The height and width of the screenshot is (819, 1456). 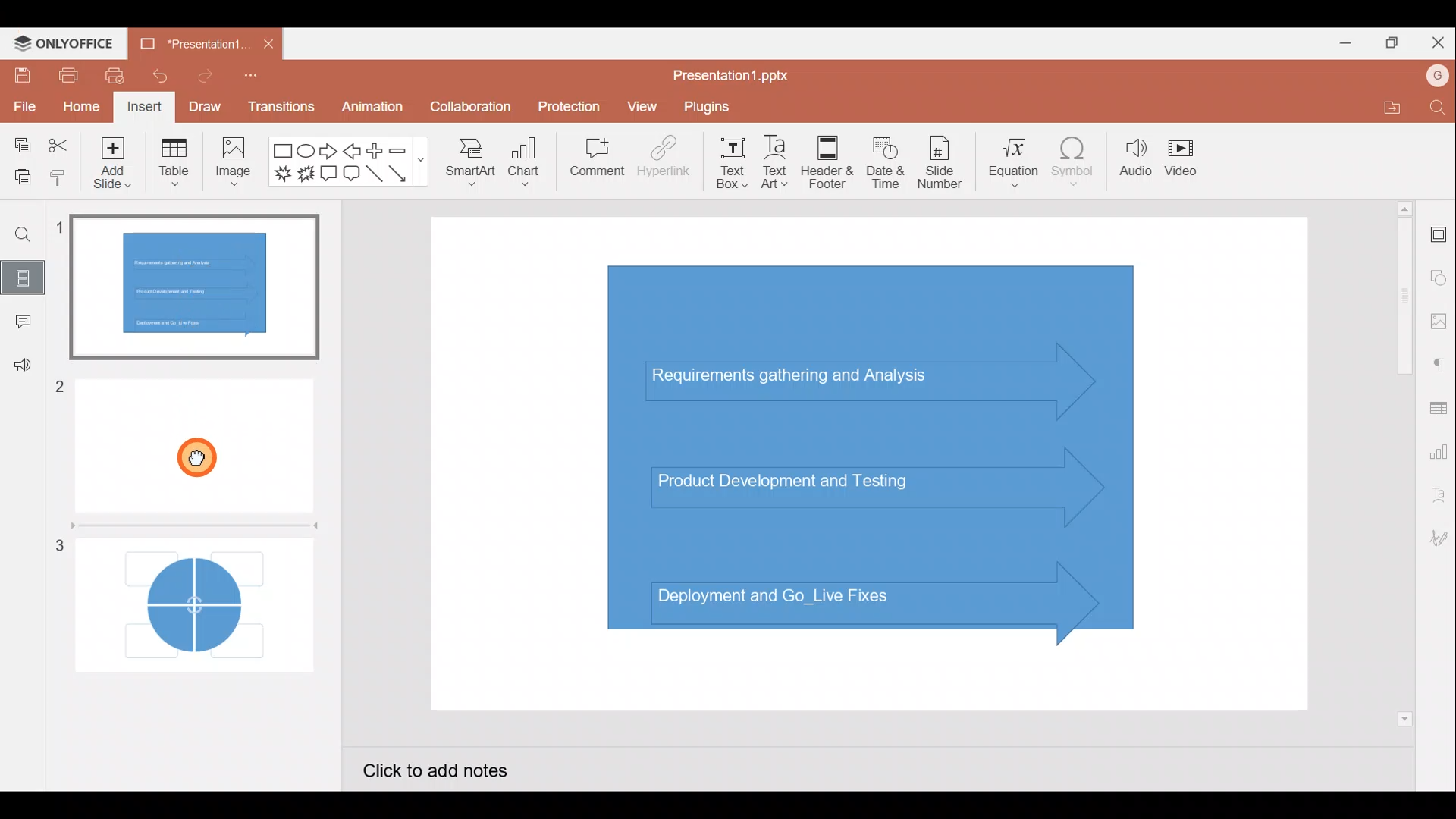 What do you see at coordinates (144, 106) in the screenshot?
I see `Insert` at bounding box center [144, 106].